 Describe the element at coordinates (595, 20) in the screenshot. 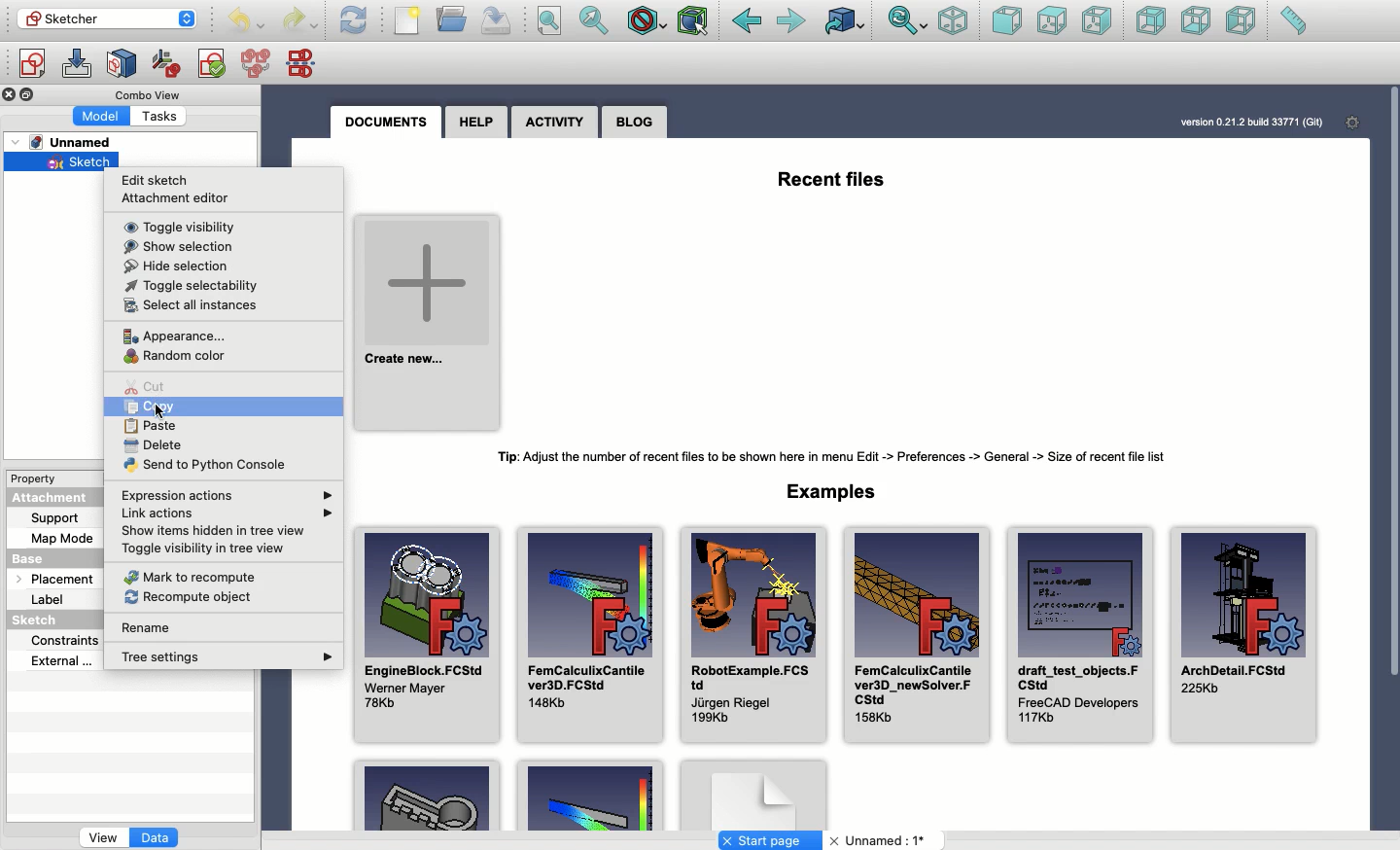

I see `Fit selection` at that location.